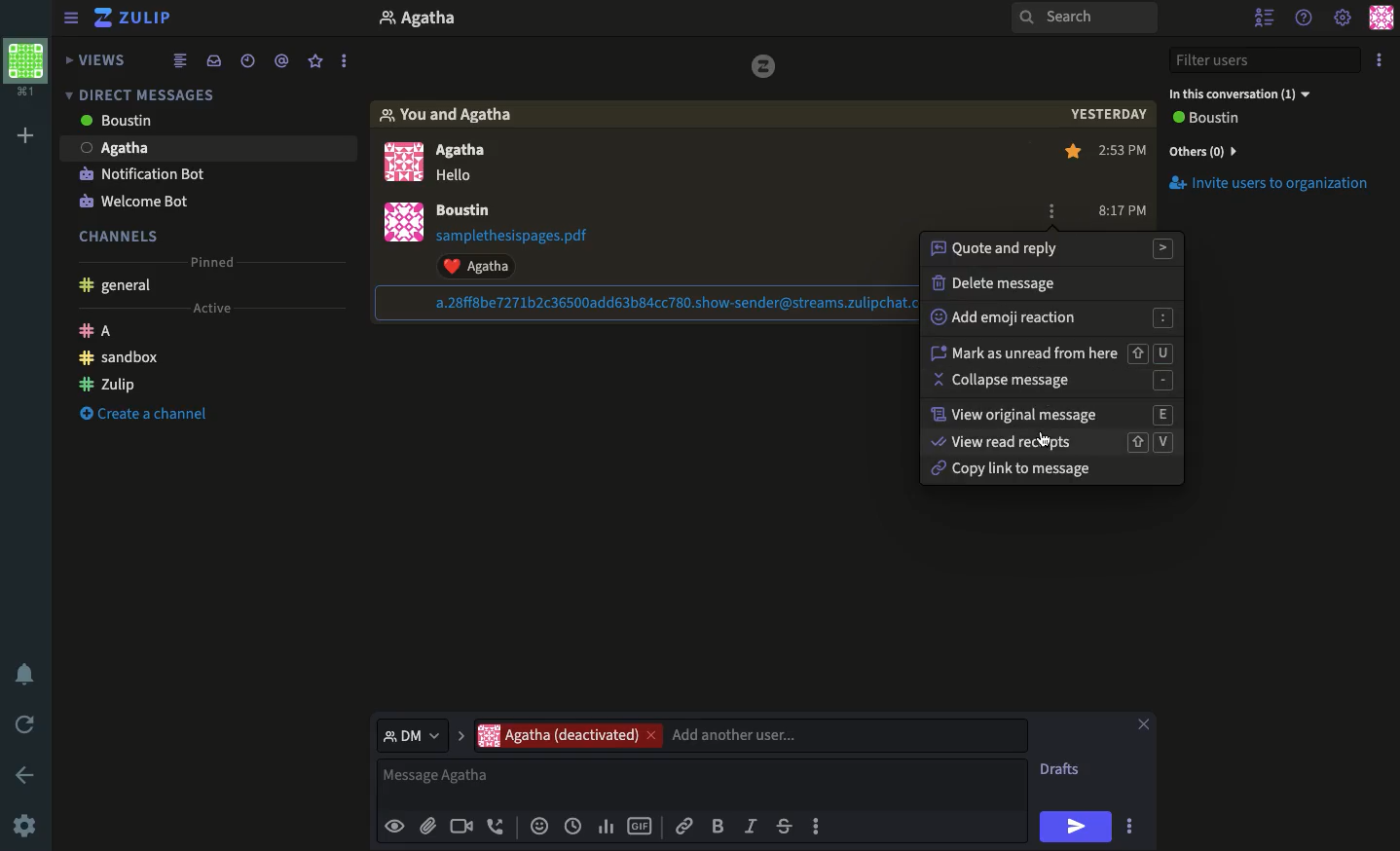  I want to click on user, so click(467, 211).